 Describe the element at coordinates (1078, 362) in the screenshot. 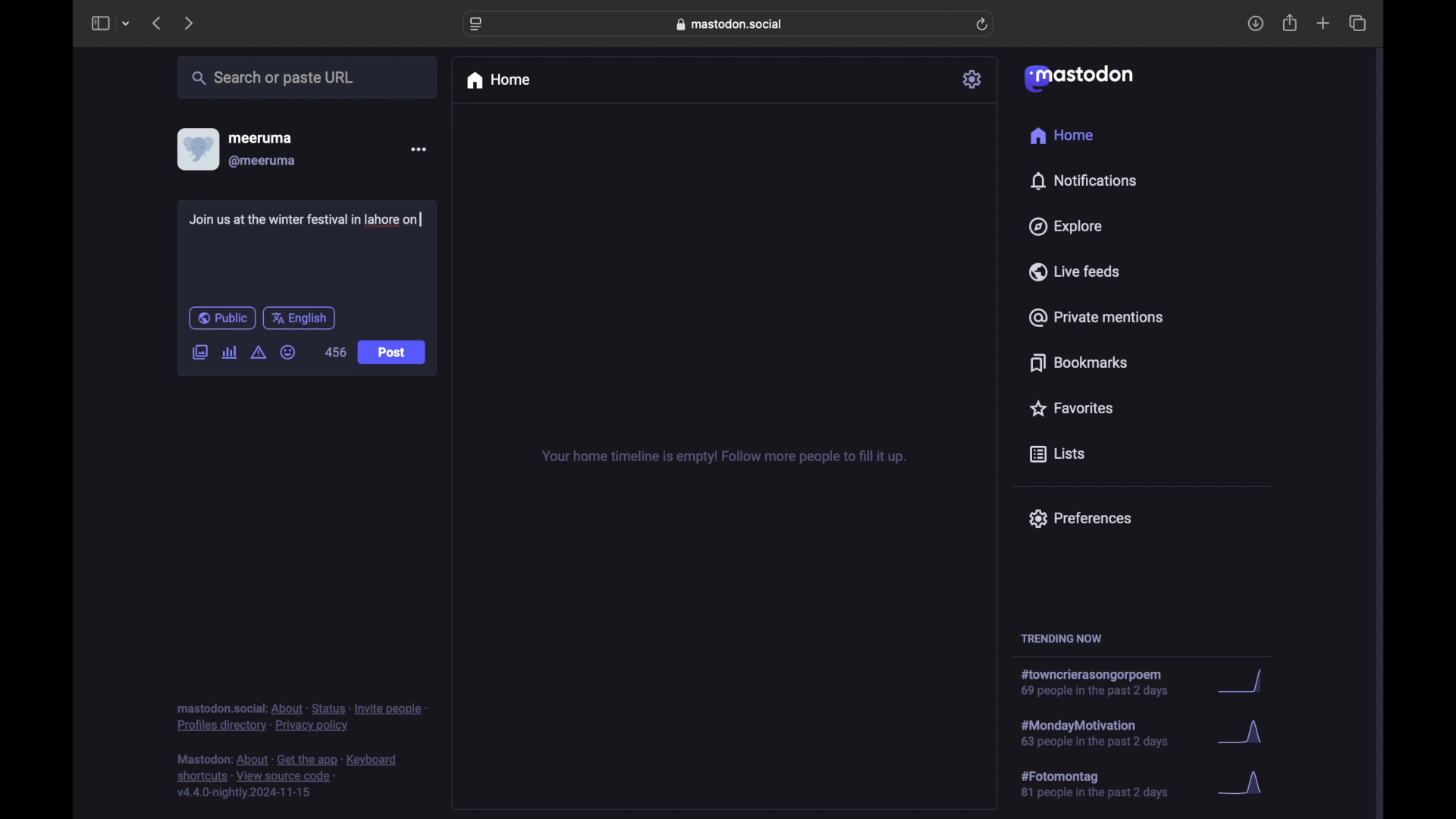

I see `bookmarks` at that location.